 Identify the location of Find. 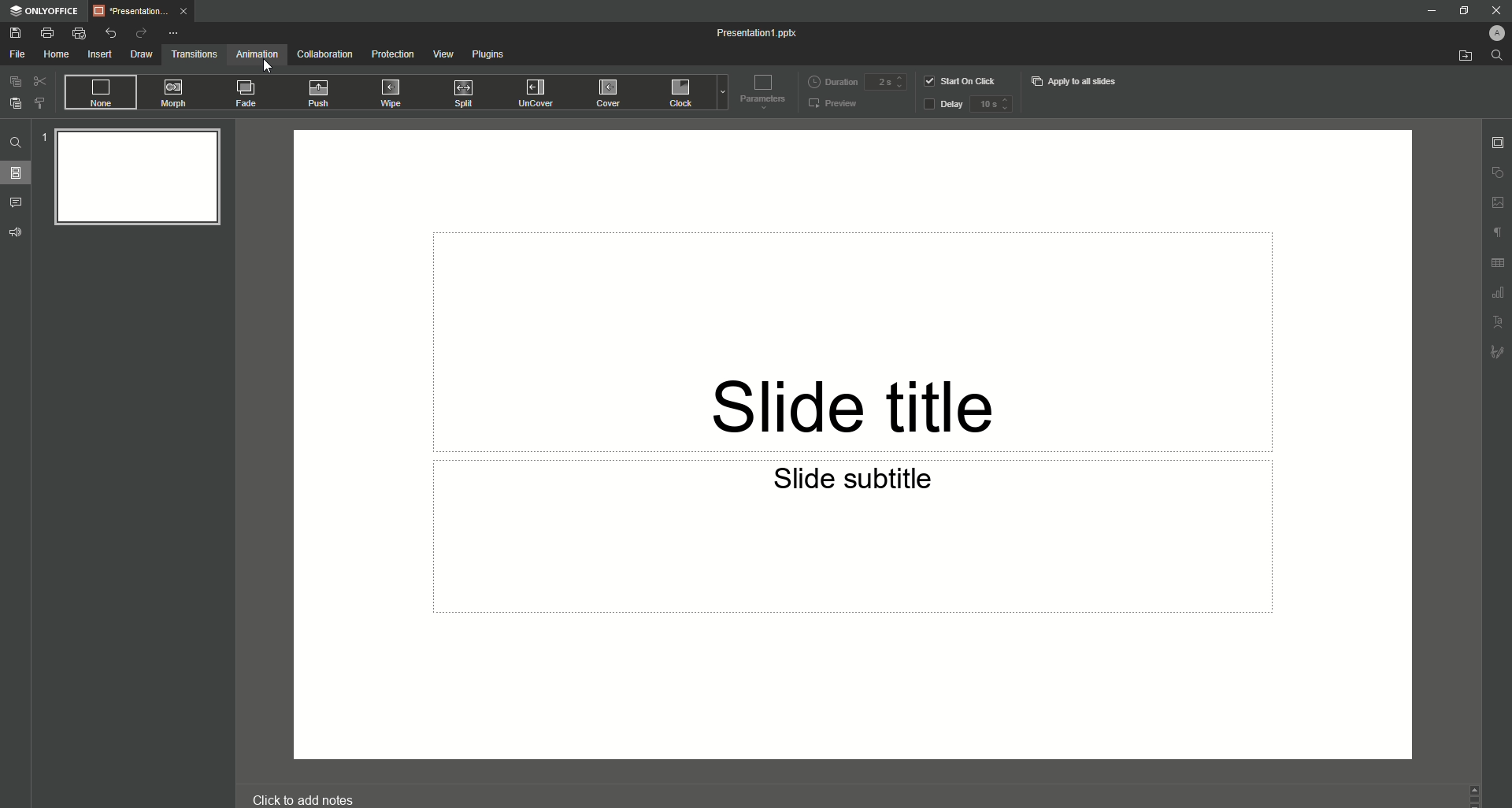
(16, 143).